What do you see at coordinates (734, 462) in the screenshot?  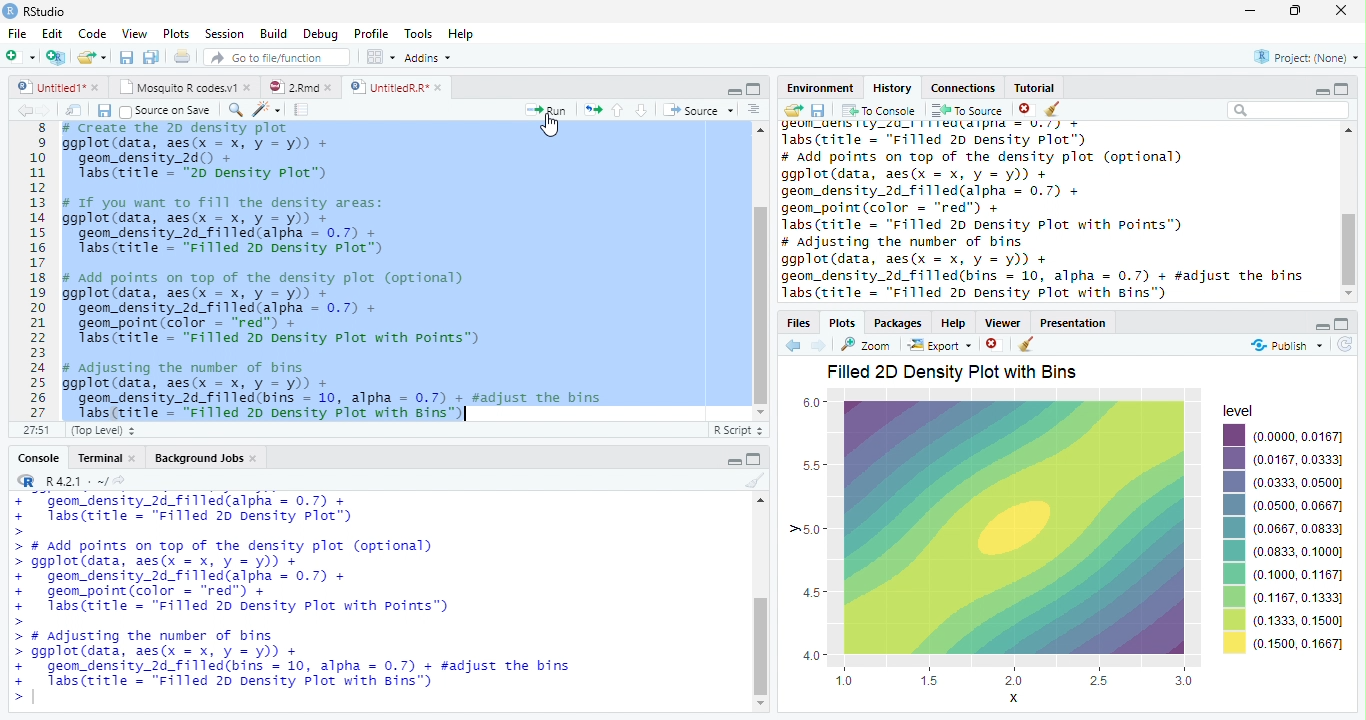 I see `minimize` at bounding box center [734, 462].